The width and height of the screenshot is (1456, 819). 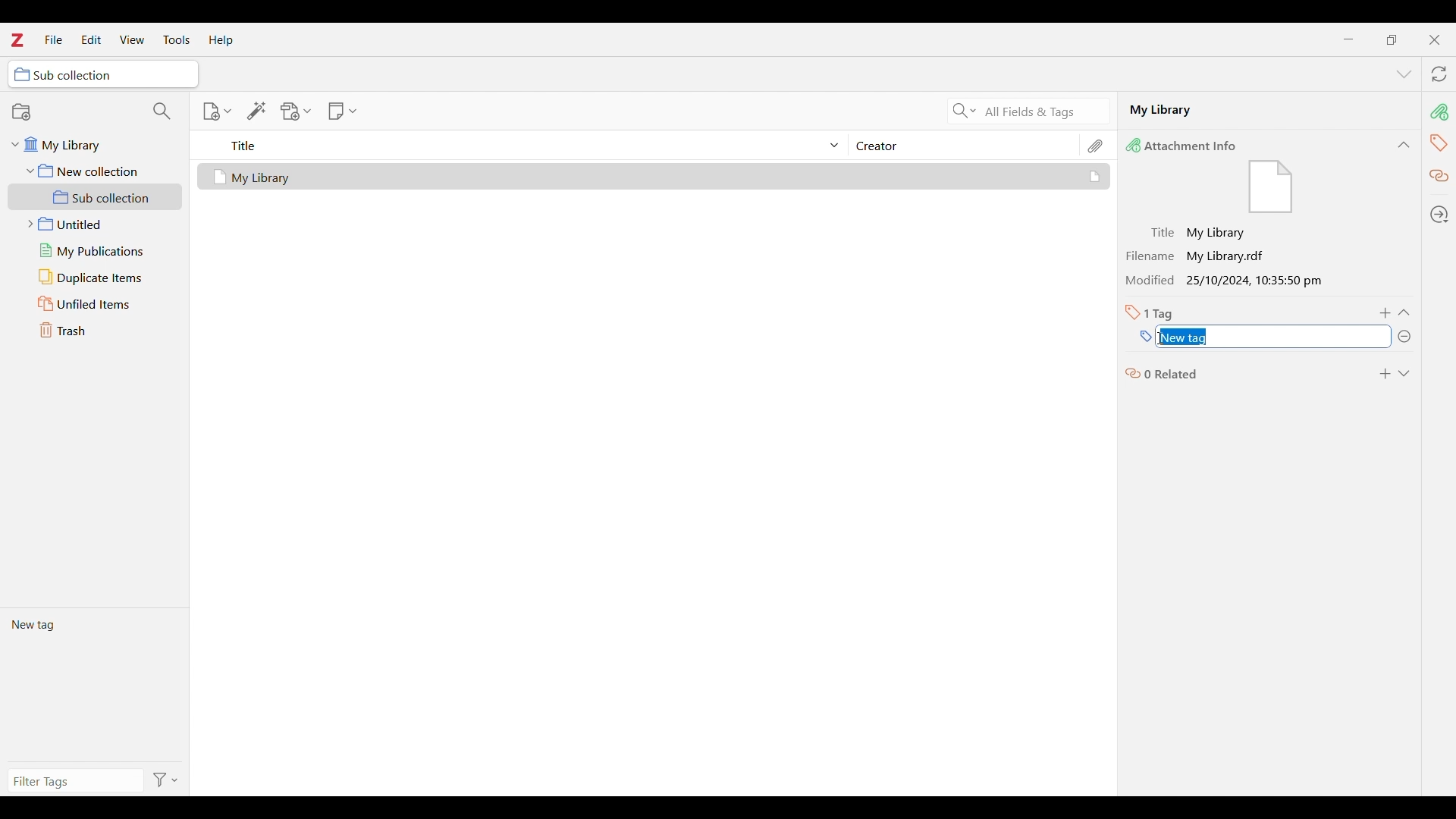 What do you see at coordinates (92, 222) in the screenshot?
I see `Untitled folder` at bounding box center [92, 222].